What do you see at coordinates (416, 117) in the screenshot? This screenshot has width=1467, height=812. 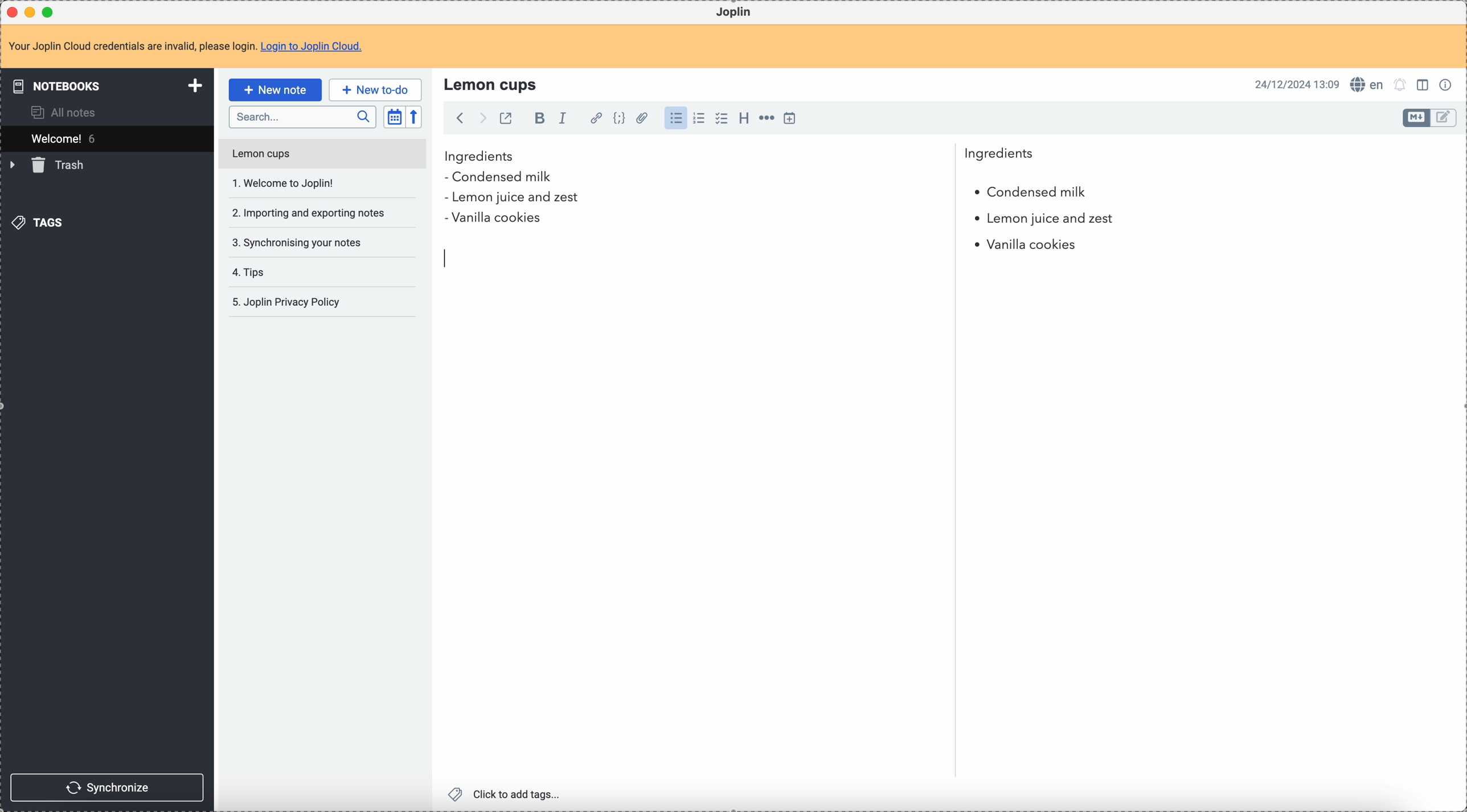 I see `reverse sort order` at bounding box center [416, 117].